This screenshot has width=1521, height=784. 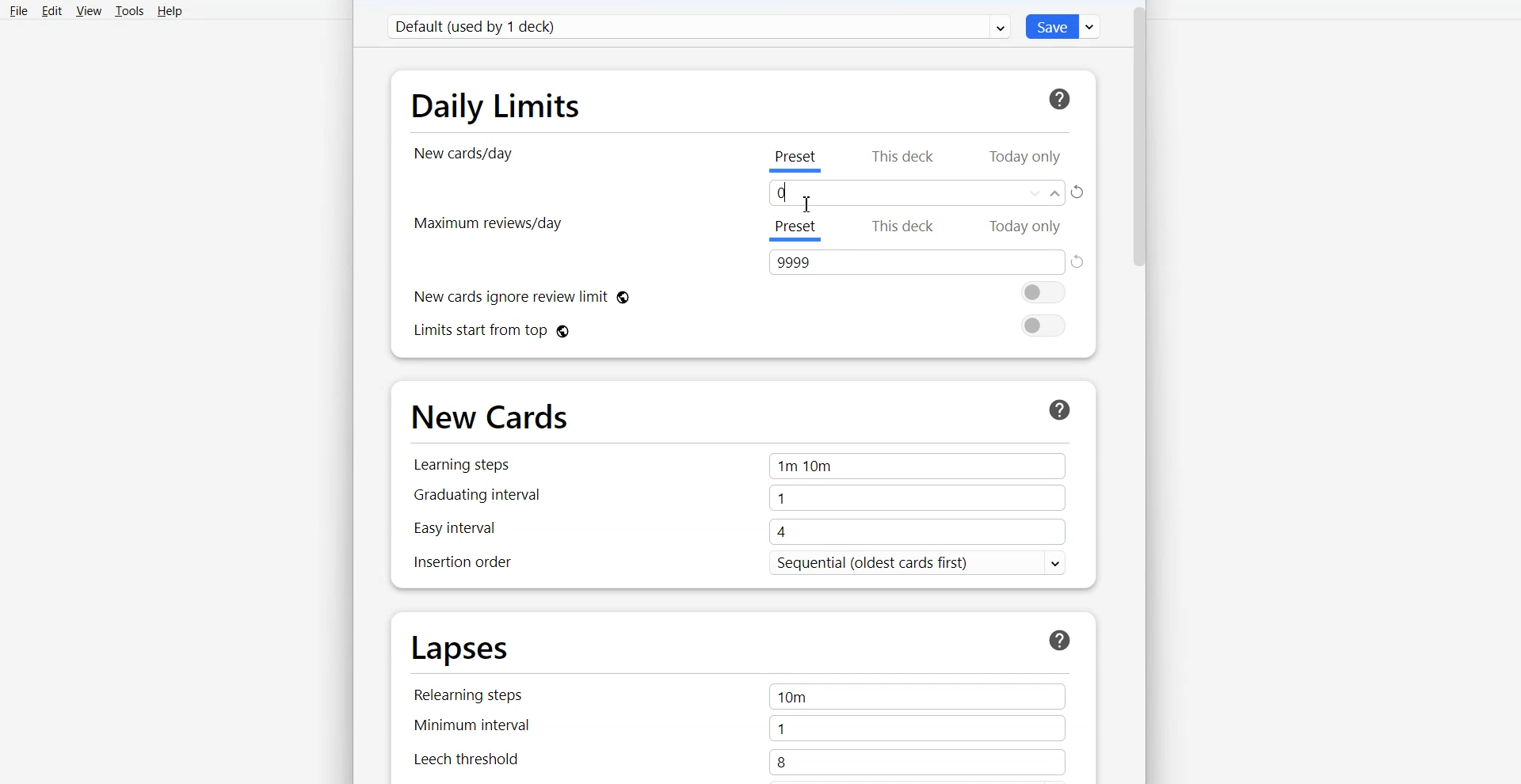 I want to click on Relearning steps, so click(x=488, y=692).